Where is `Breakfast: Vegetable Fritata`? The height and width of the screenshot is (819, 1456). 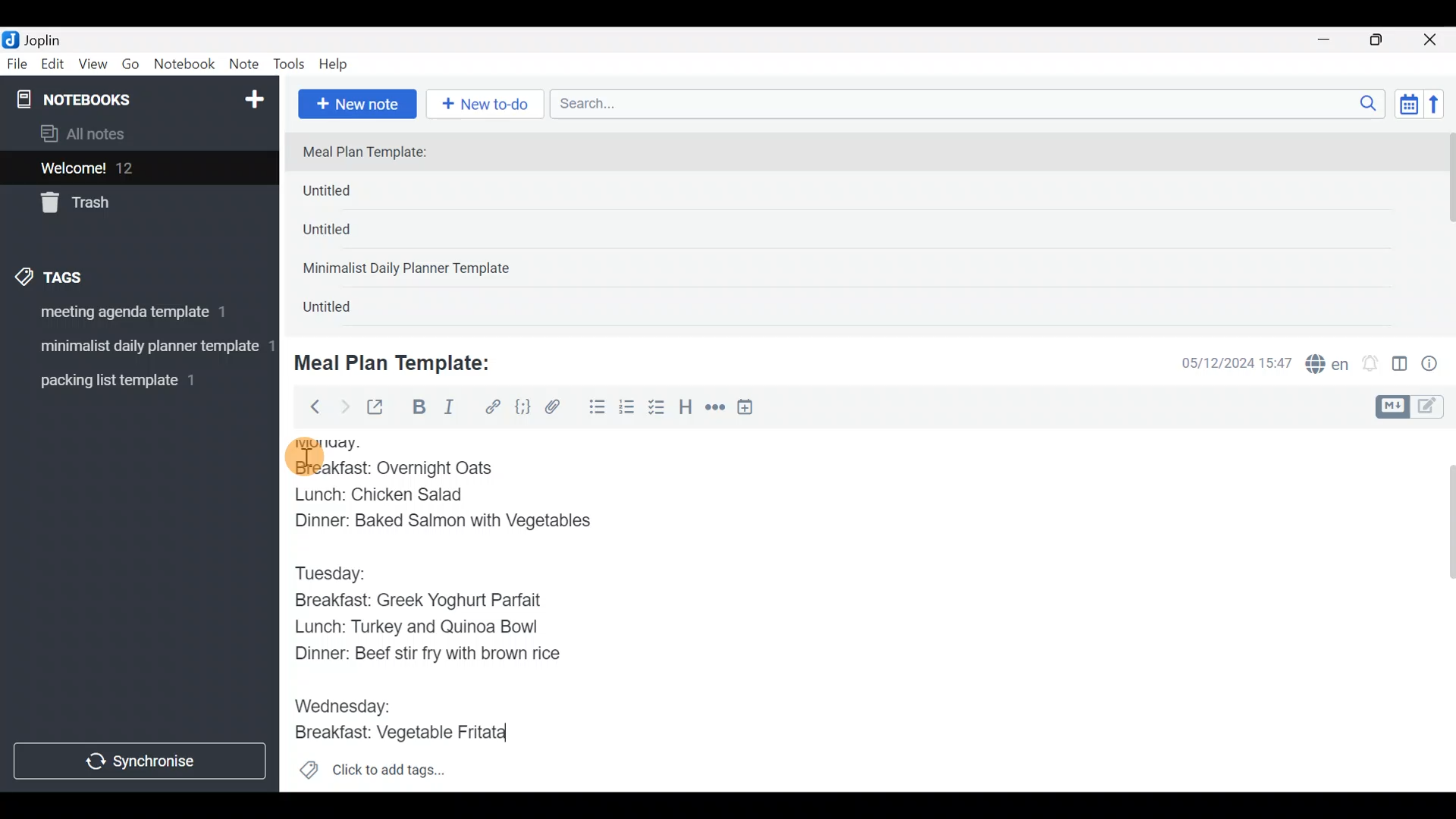
Breakfast: Vegetable Fritata is located at coordinates (411, 733).